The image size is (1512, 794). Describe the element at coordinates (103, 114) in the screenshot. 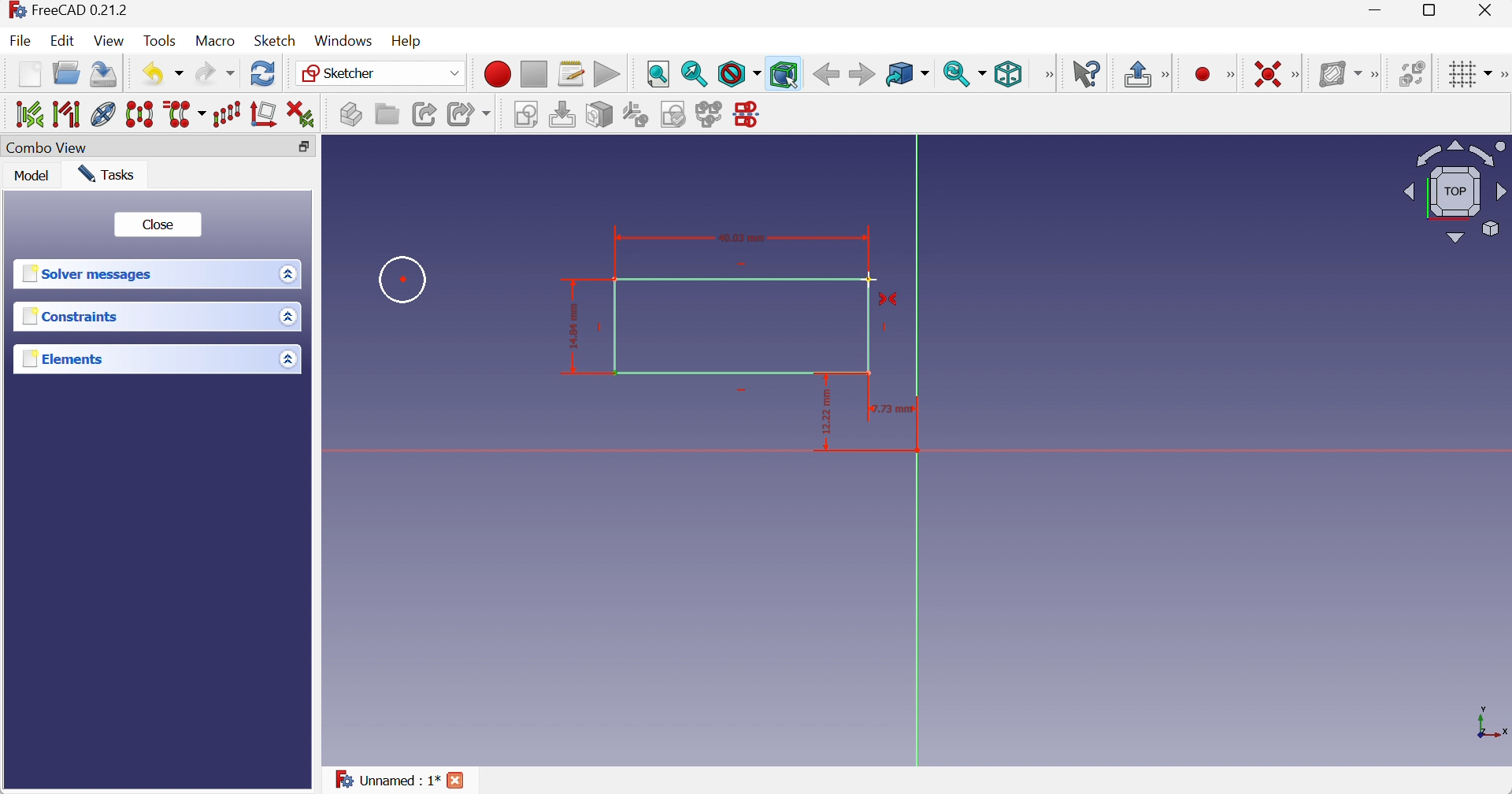

I see `Show/hide internal geometry` at that location.